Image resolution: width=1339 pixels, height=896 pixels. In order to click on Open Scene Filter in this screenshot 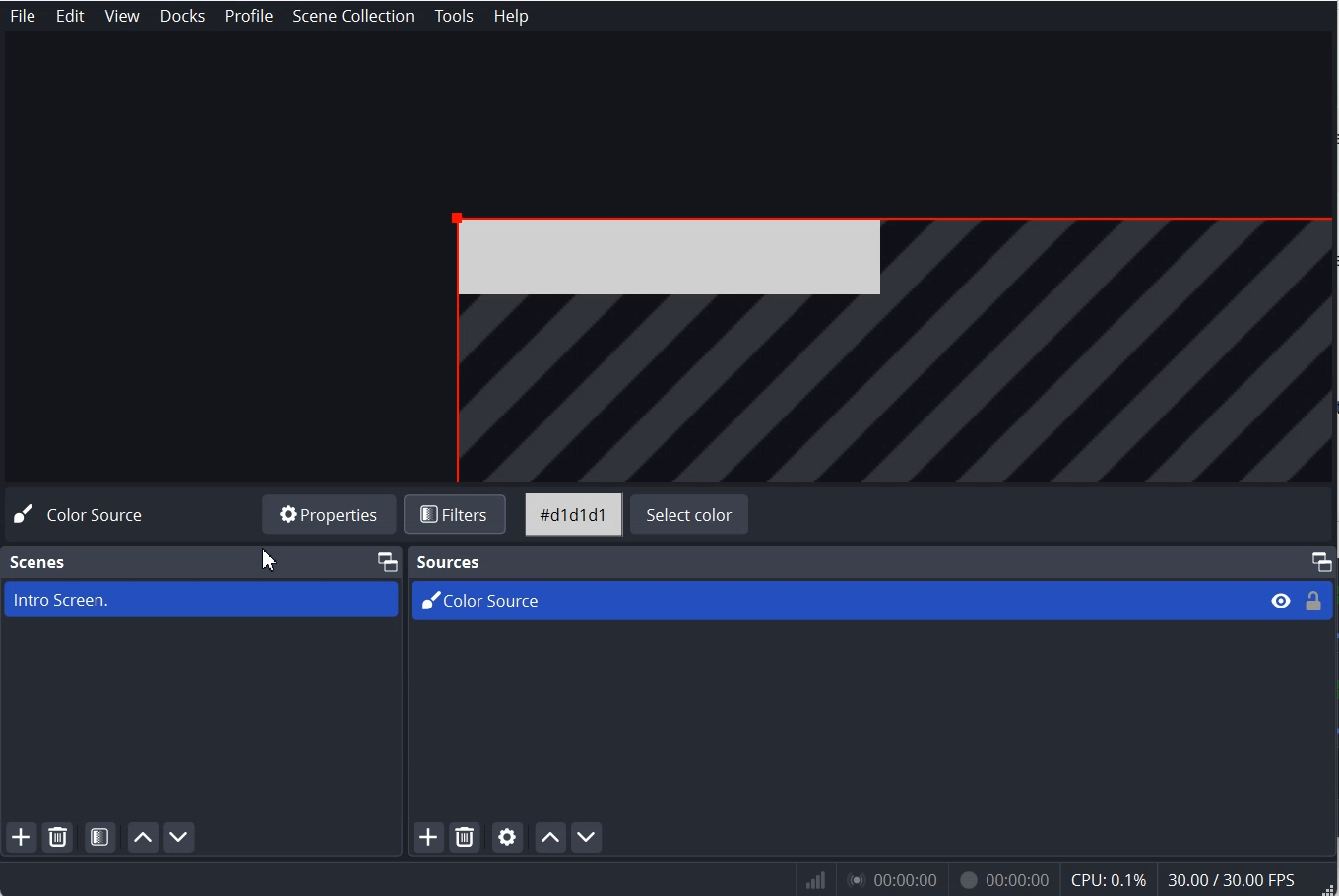, I will do `click(101, 837)`.